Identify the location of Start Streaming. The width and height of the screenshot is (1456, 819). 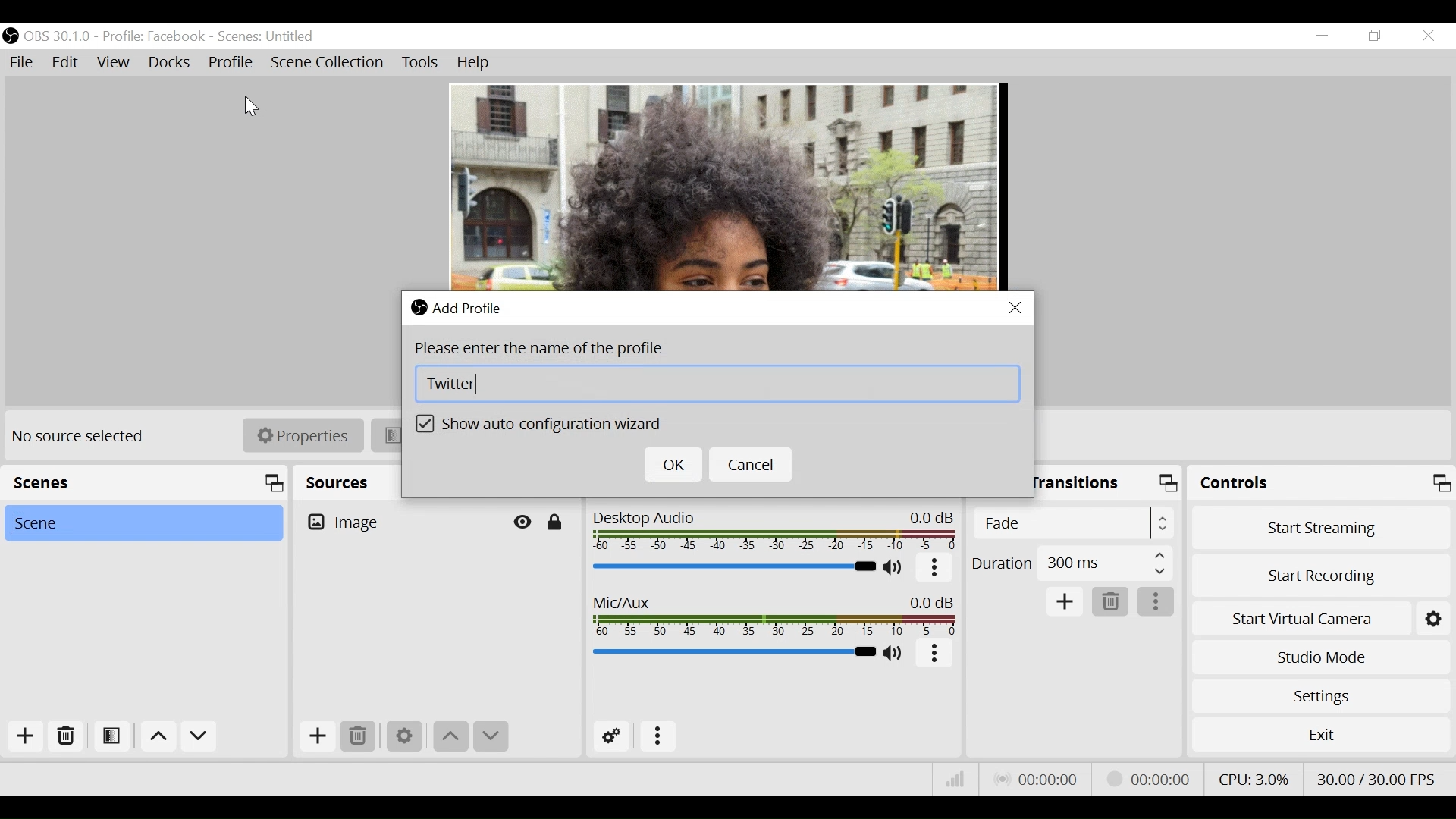
(1321, 526).